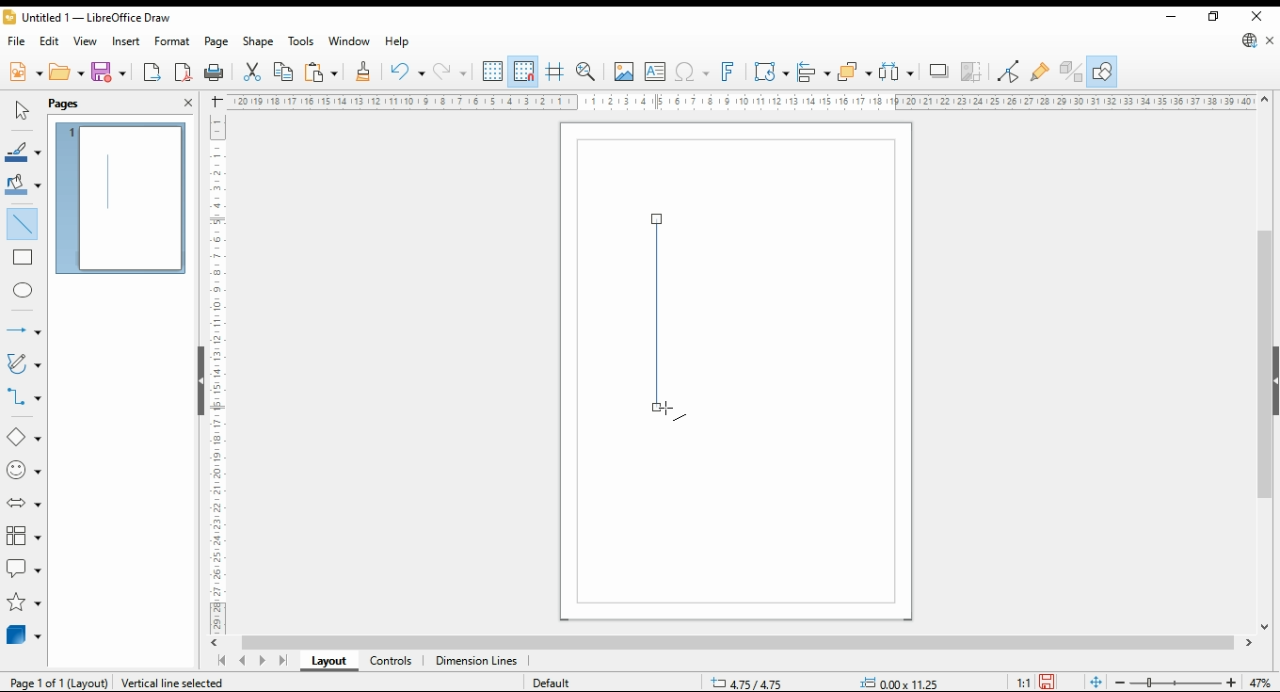 Image resolution: width=1280 pixels, height=692 pixels. Describe the element at coordinates (321, 72) in the screenshot. I see `paste` at that location.